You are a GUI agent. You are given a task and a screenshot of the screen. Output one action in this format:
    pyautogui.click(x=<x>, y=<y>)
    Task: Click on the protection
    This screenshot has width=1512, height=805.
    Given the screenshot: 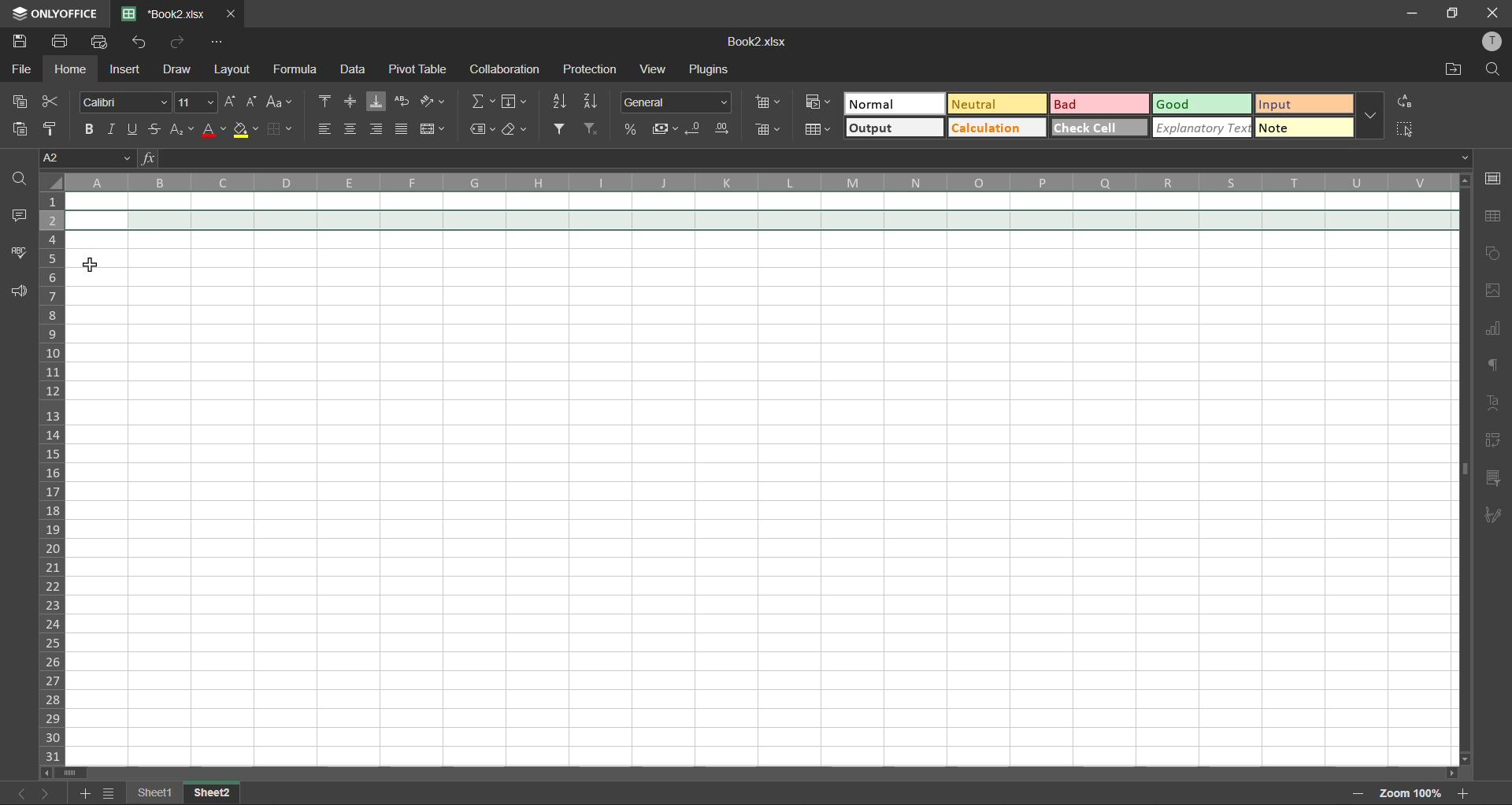 What is the action you would take?
    pyautogui.click(x=594, y=69)
    